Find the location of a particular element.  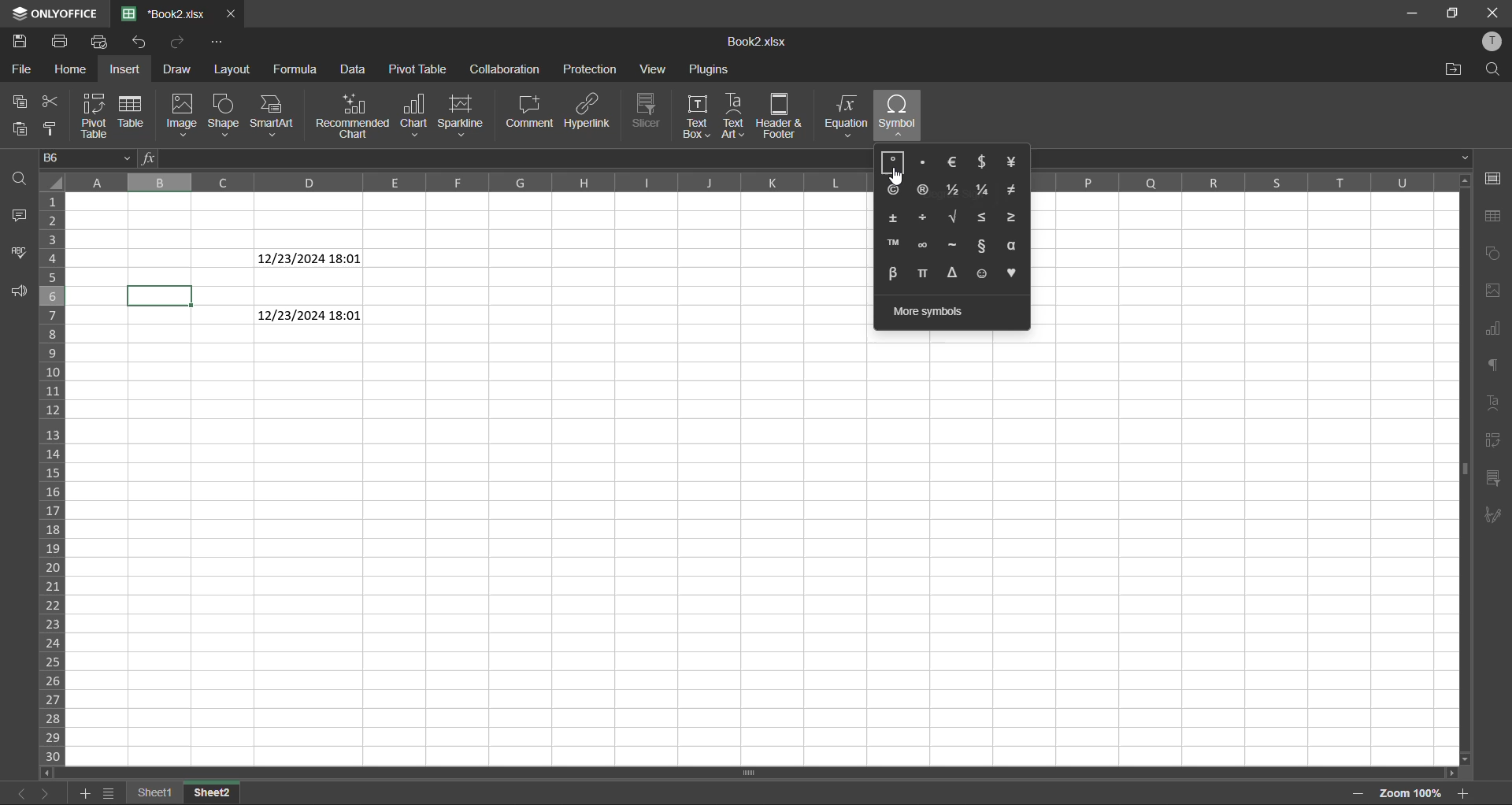

insert is located at coordinates (125, 72).